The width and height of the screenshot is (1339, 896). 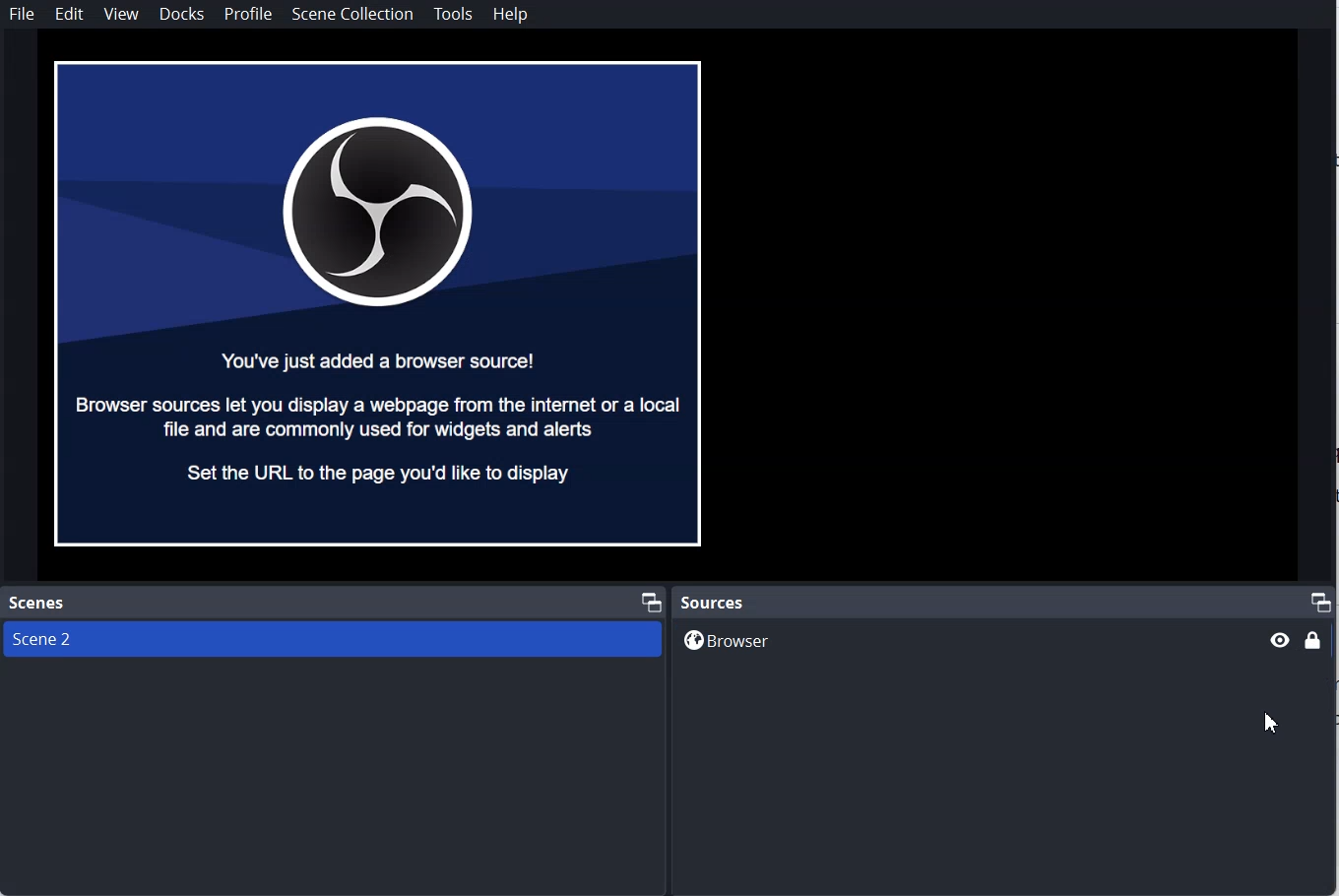 What do you see at coordinates (651, 600) in the screenshot?
I see `Maximize` at bounding box center [651, 600].